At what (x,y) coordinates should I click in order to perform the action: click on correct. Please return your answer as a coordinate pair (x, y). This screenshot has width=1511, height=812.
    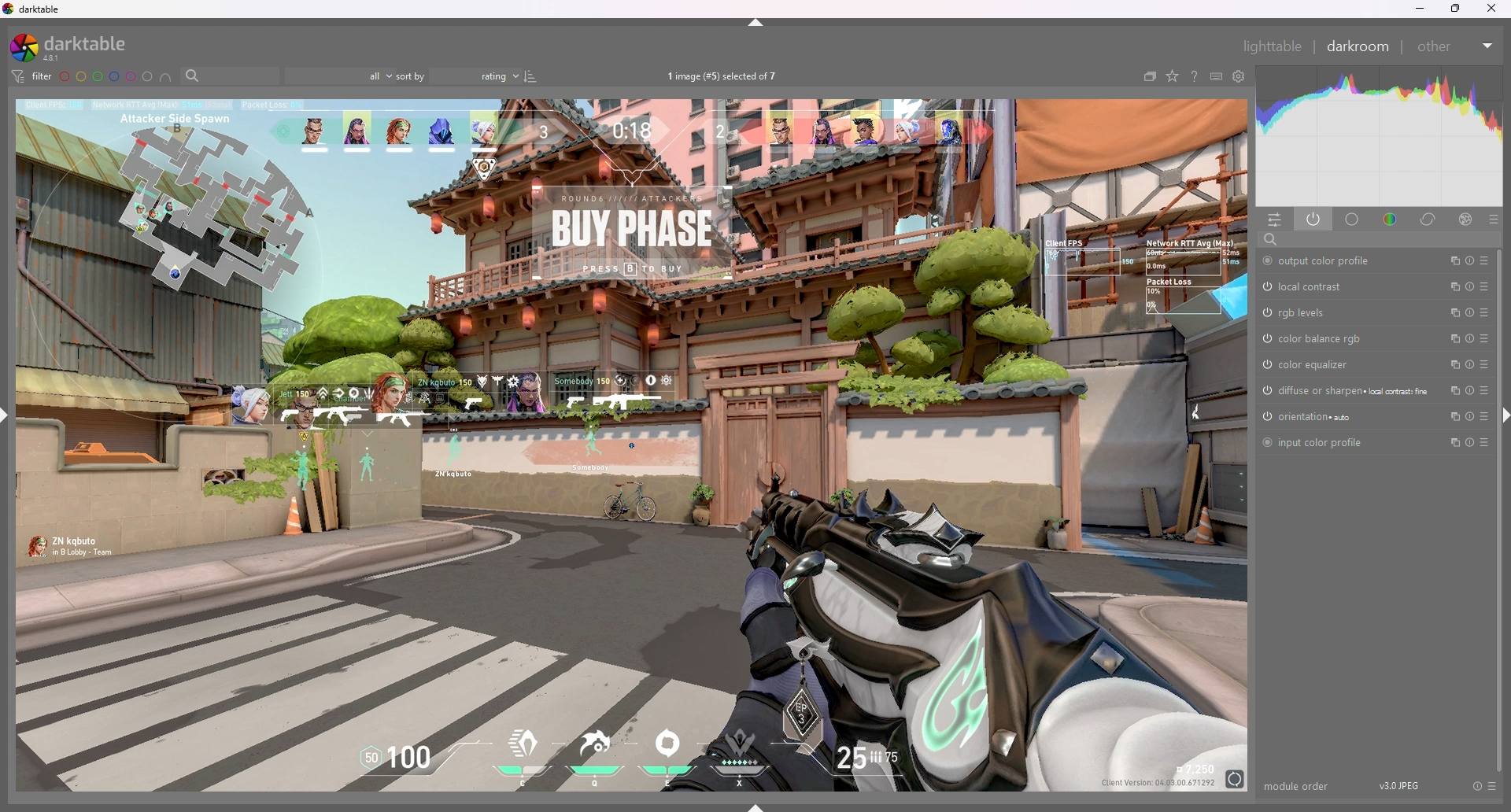
    Looking at the image, I should click on (1429, 219).